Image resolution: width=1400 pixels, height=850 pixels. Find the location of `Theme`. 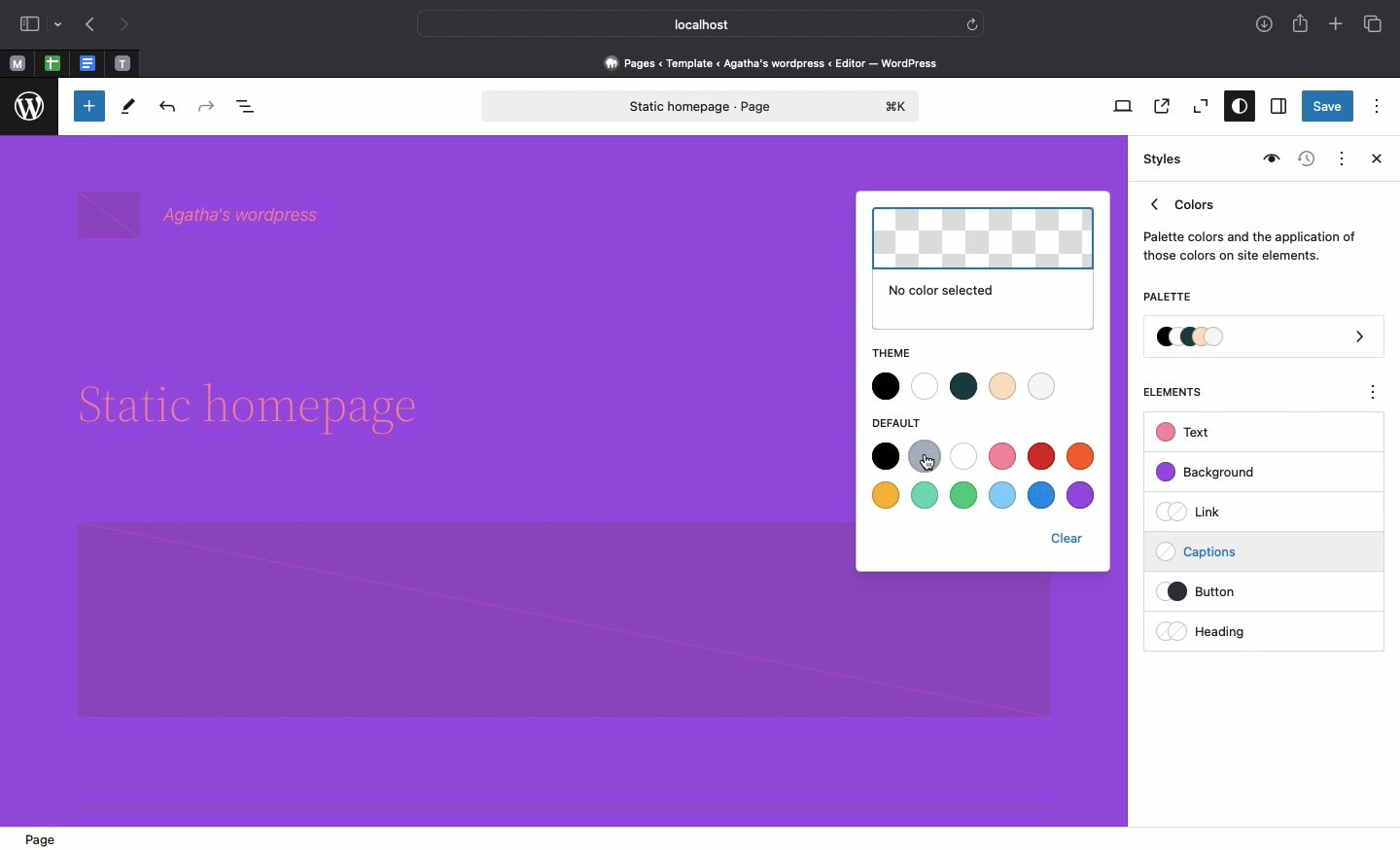

Theme is located at coordinates (889, 353).